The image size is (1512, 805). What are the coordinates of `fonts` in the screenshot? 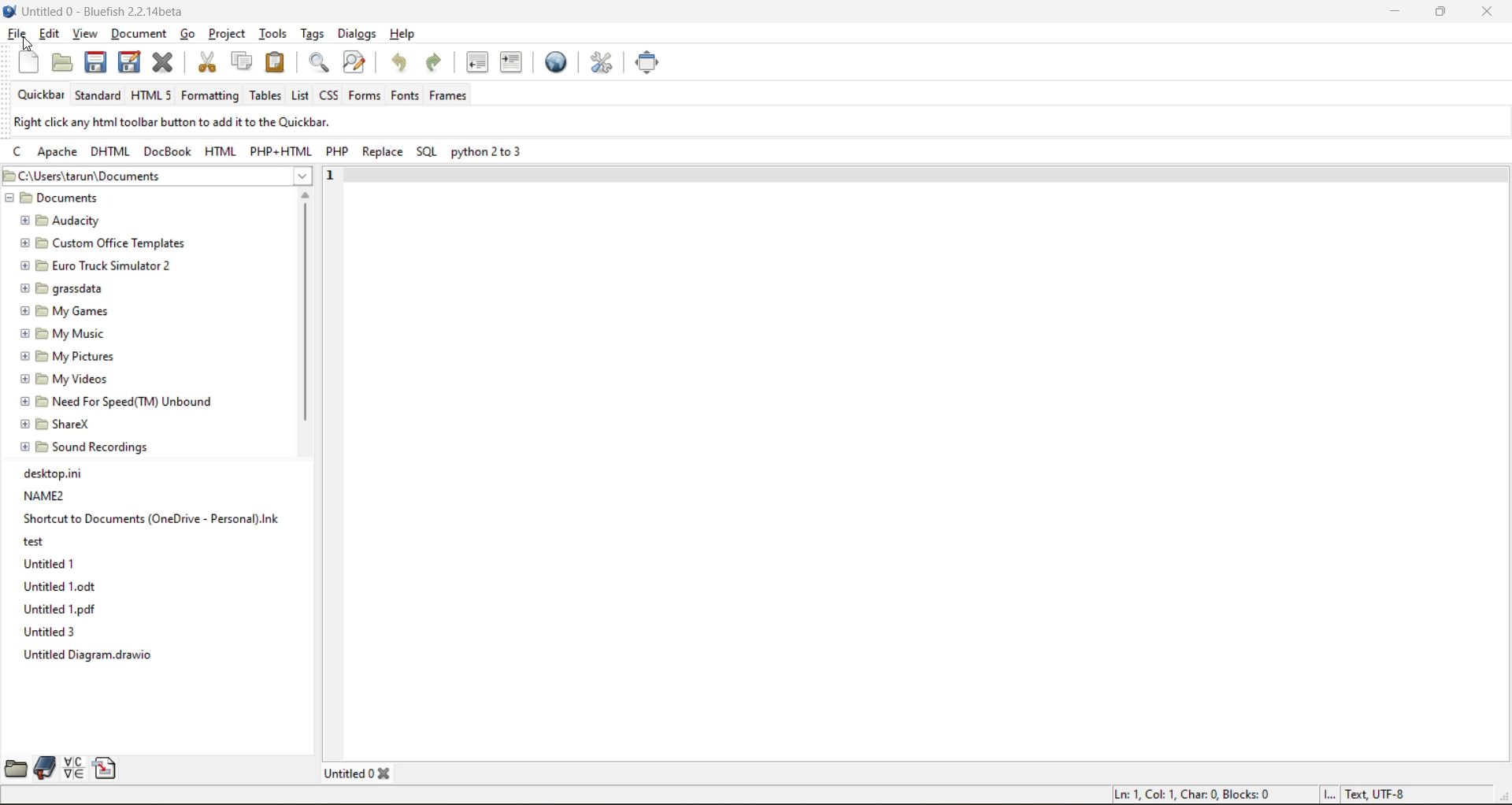 It's located at (404, 95).